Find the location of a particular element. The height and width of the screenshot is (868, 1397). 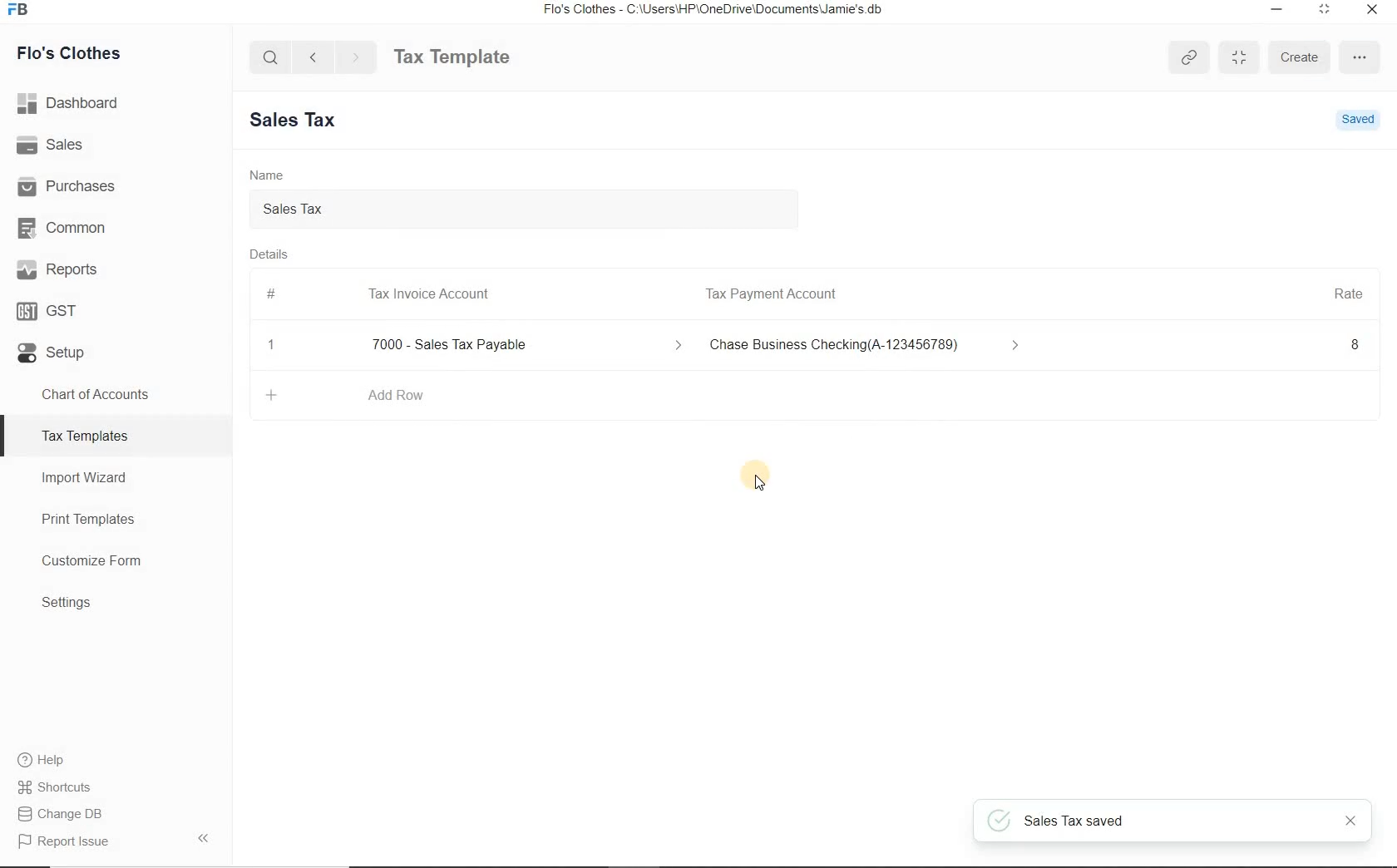

Flo's Clothes is located at coordinates (66, 53).